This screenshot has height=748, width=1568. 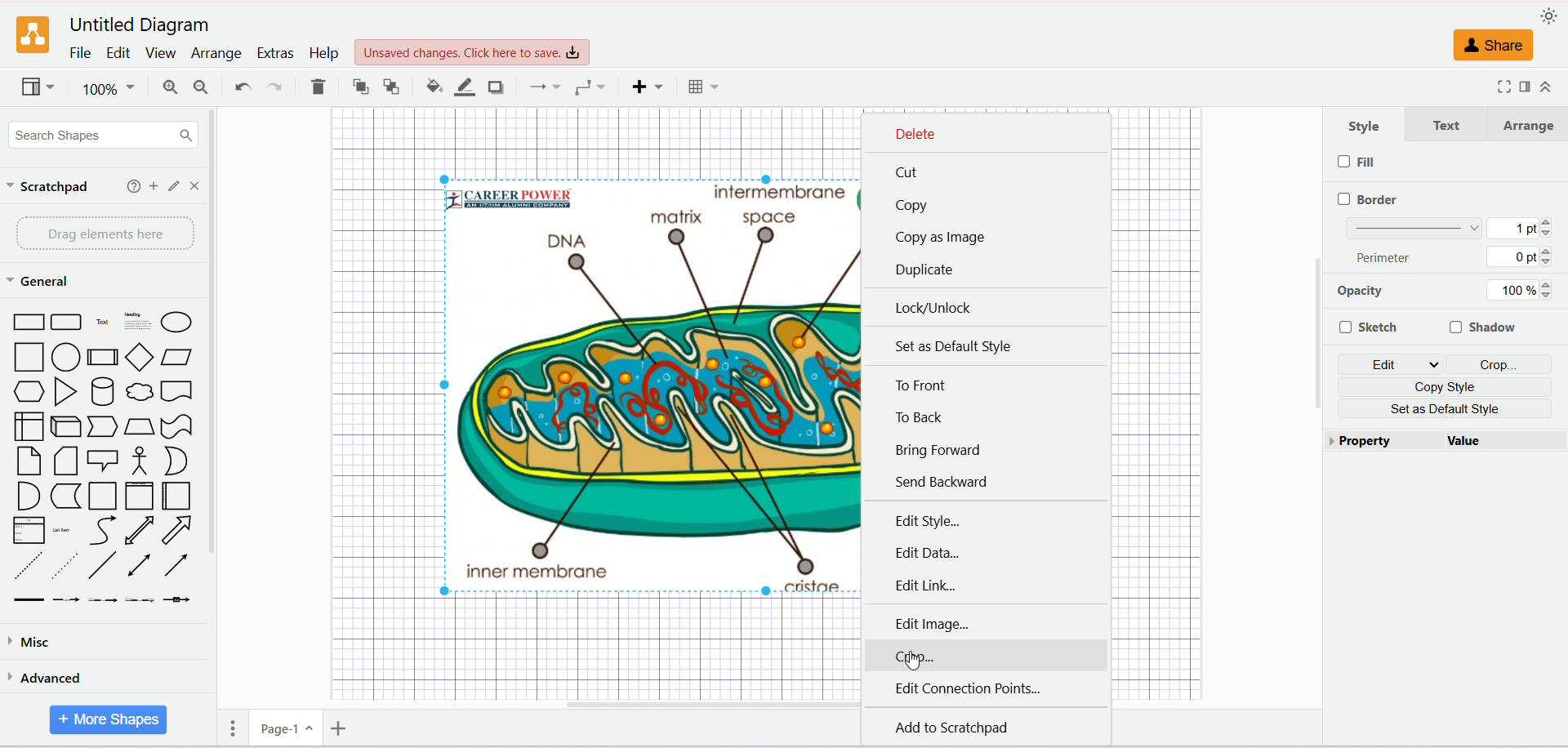 I want to click on 100%, so click(x=109, y=89).